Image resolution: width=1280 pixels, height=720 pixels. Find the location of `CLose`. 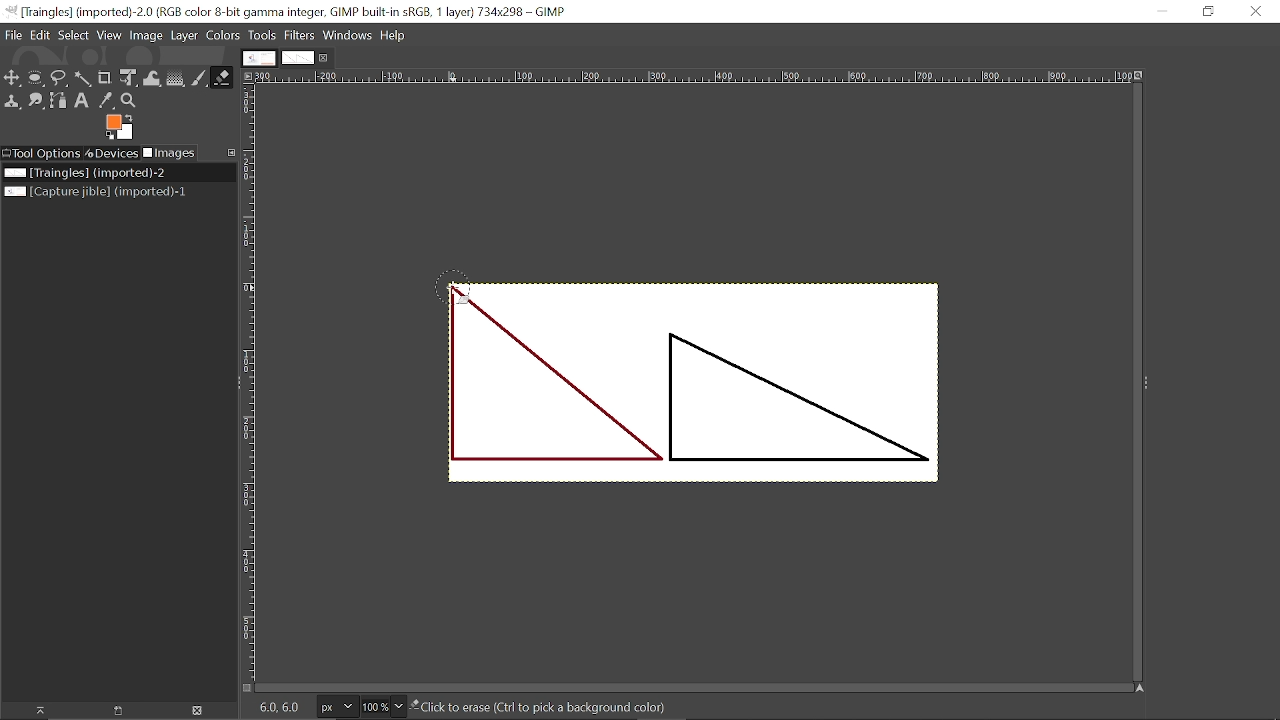

CLose is located at coordinates (1257, 13).